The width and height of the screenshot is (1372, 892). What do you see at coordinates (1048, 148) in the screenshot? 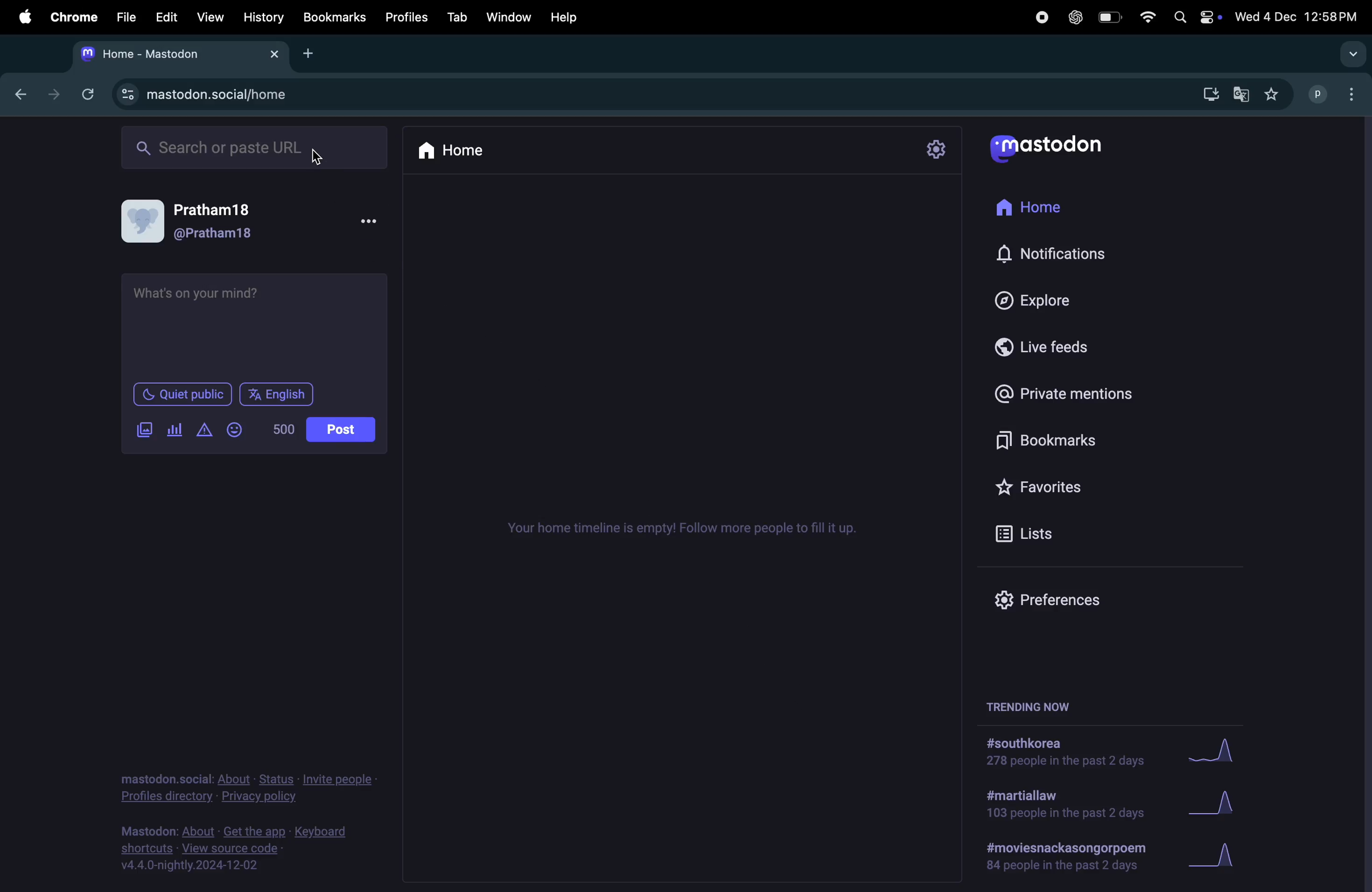
I see `mastodon` at bounding box center [1048, 148].